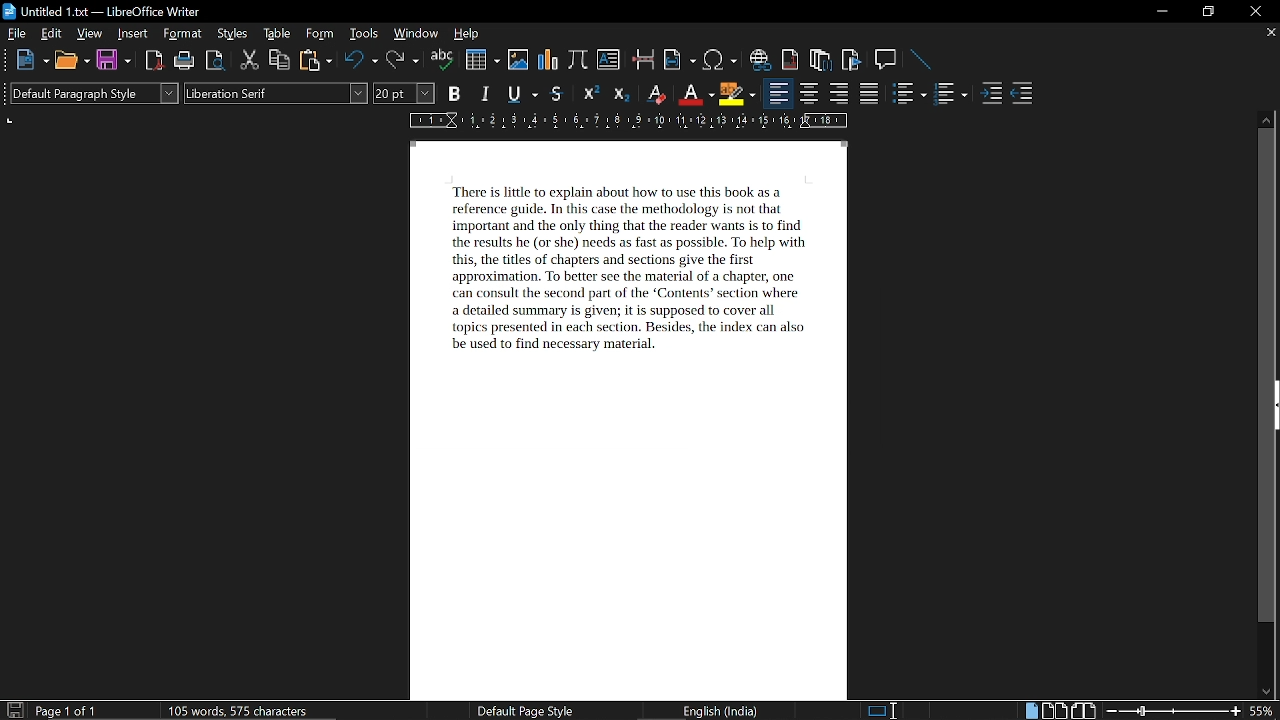 This screenshot has height=720, width=1280. Describe the element at coordinates (654, 93) in the screenshot. I see `eraser` at that location.